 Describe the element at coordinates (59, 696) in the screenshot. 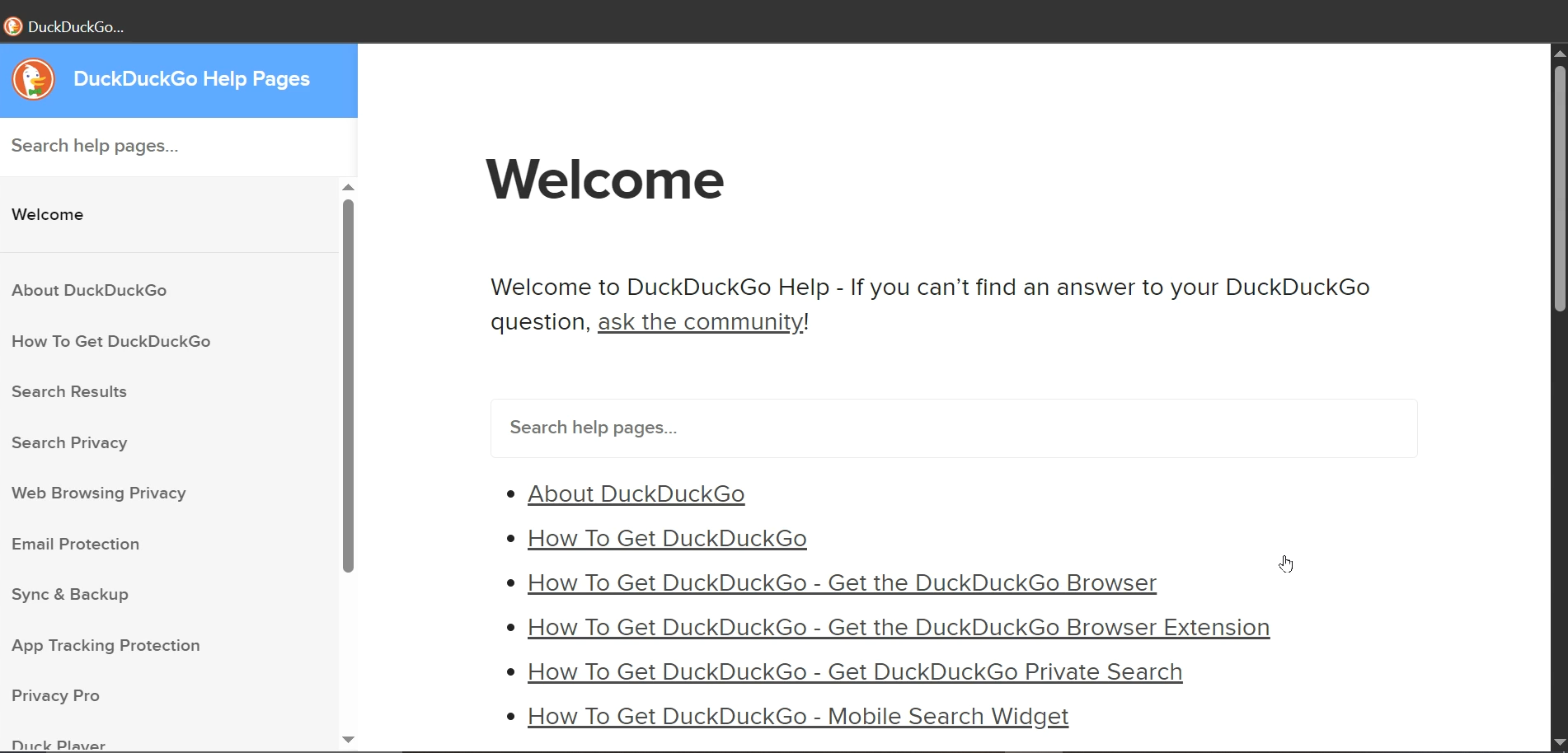

I see `Privacy Pro` at that location.